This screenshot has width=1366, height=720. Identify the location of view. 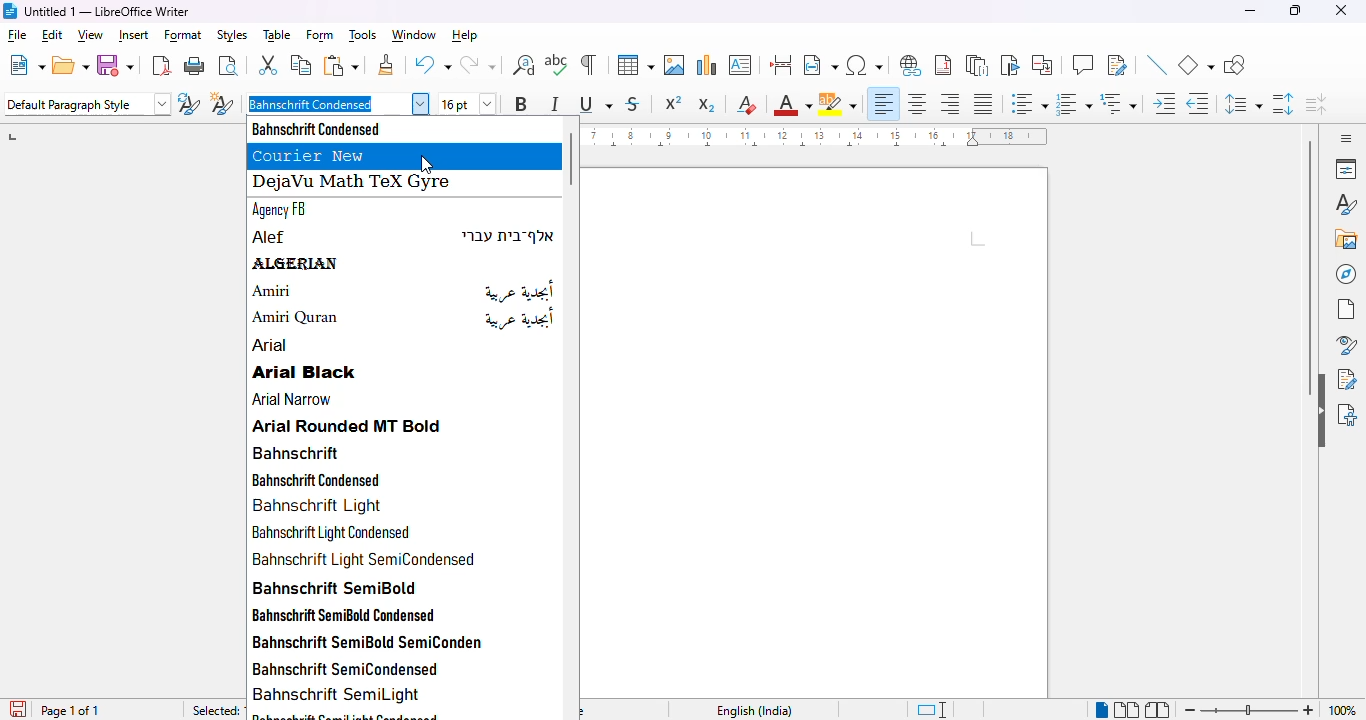
(91, 36).